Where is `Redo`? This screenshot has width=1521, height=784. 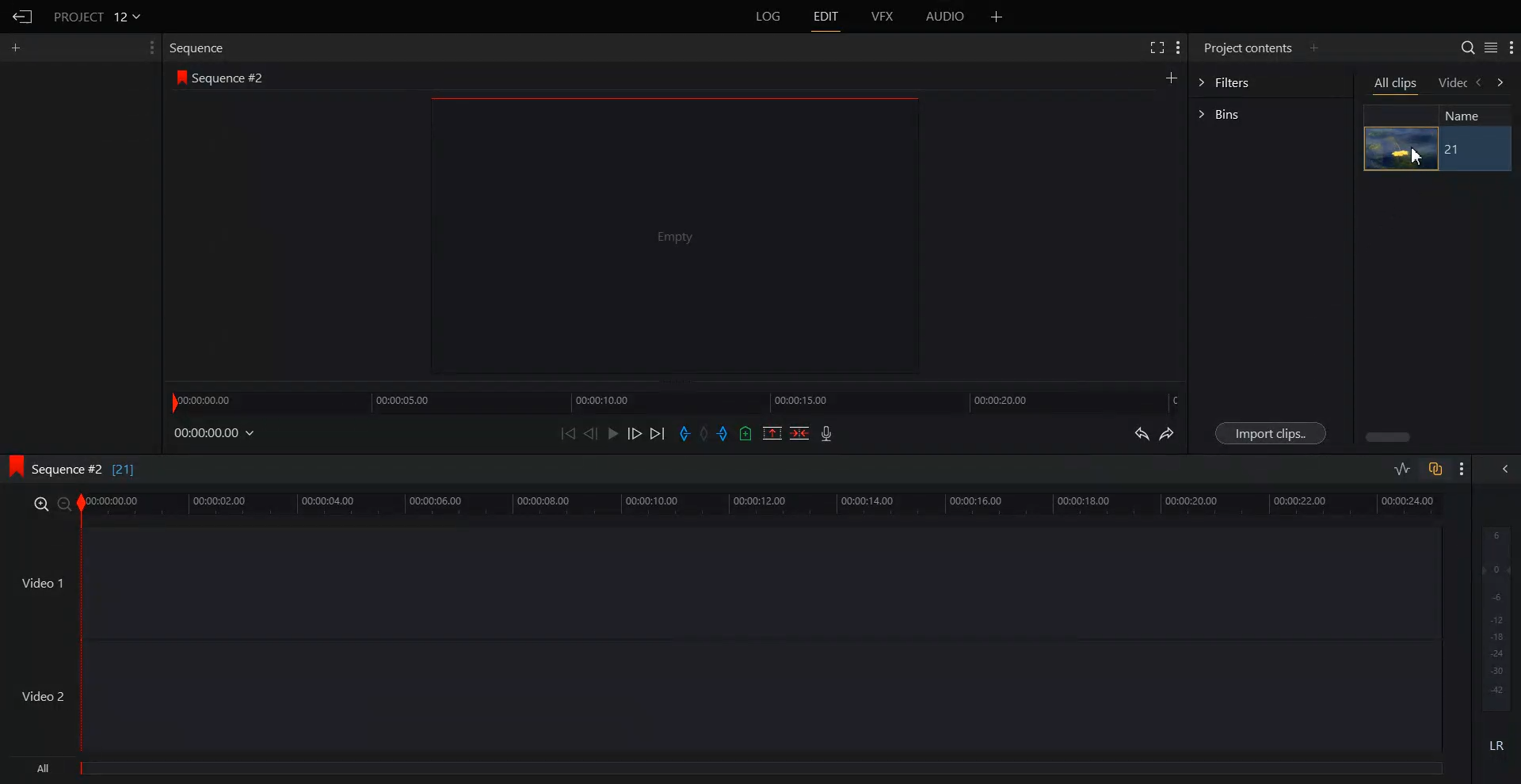 Redo is located at coordinates (1167, 433).